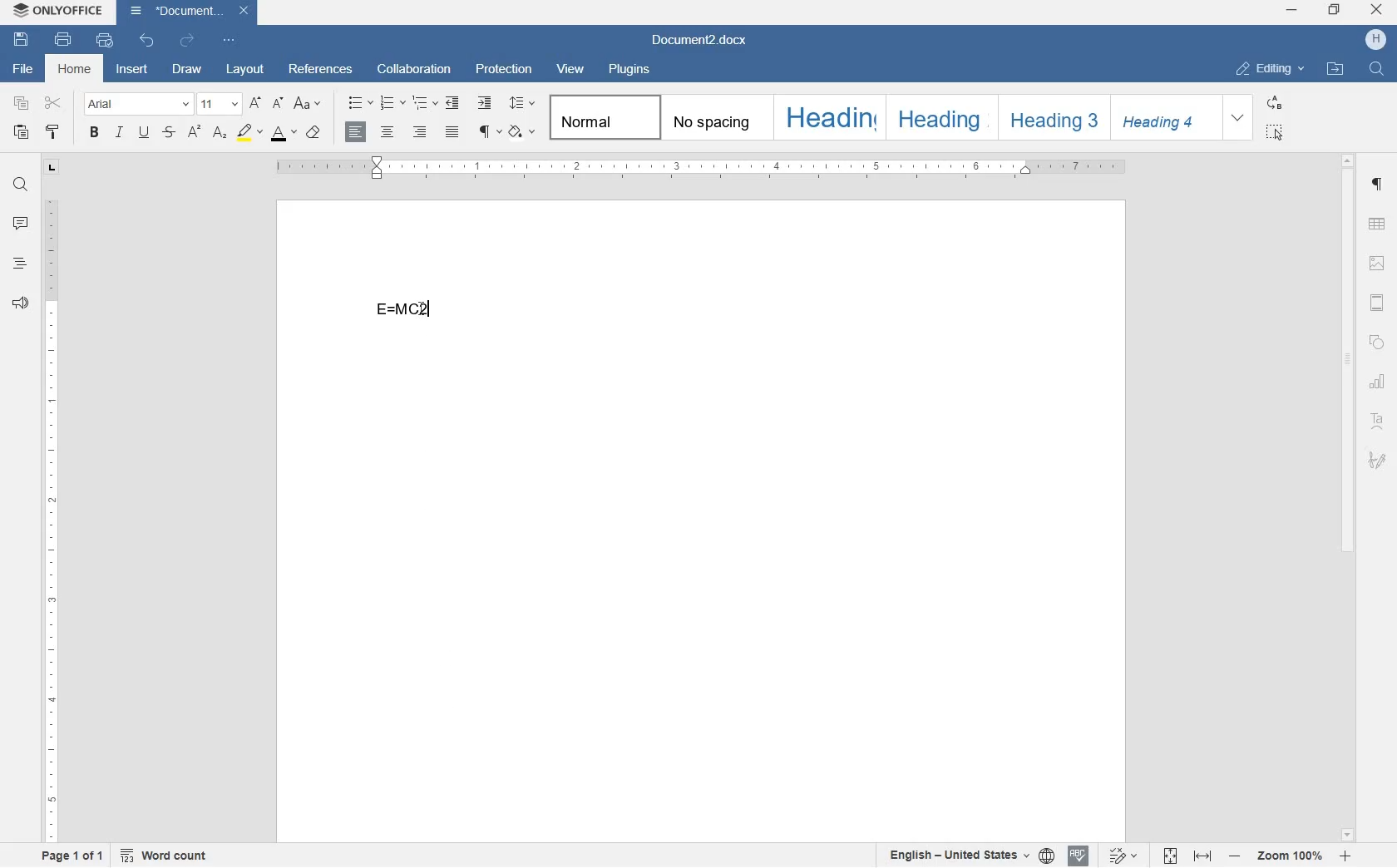 Image resolution: width=1397 pixels, height=868 pixels. What do you see at coordinates (19, 264) in the screenshot?
I see `headings` at bounding box center [19, 264].